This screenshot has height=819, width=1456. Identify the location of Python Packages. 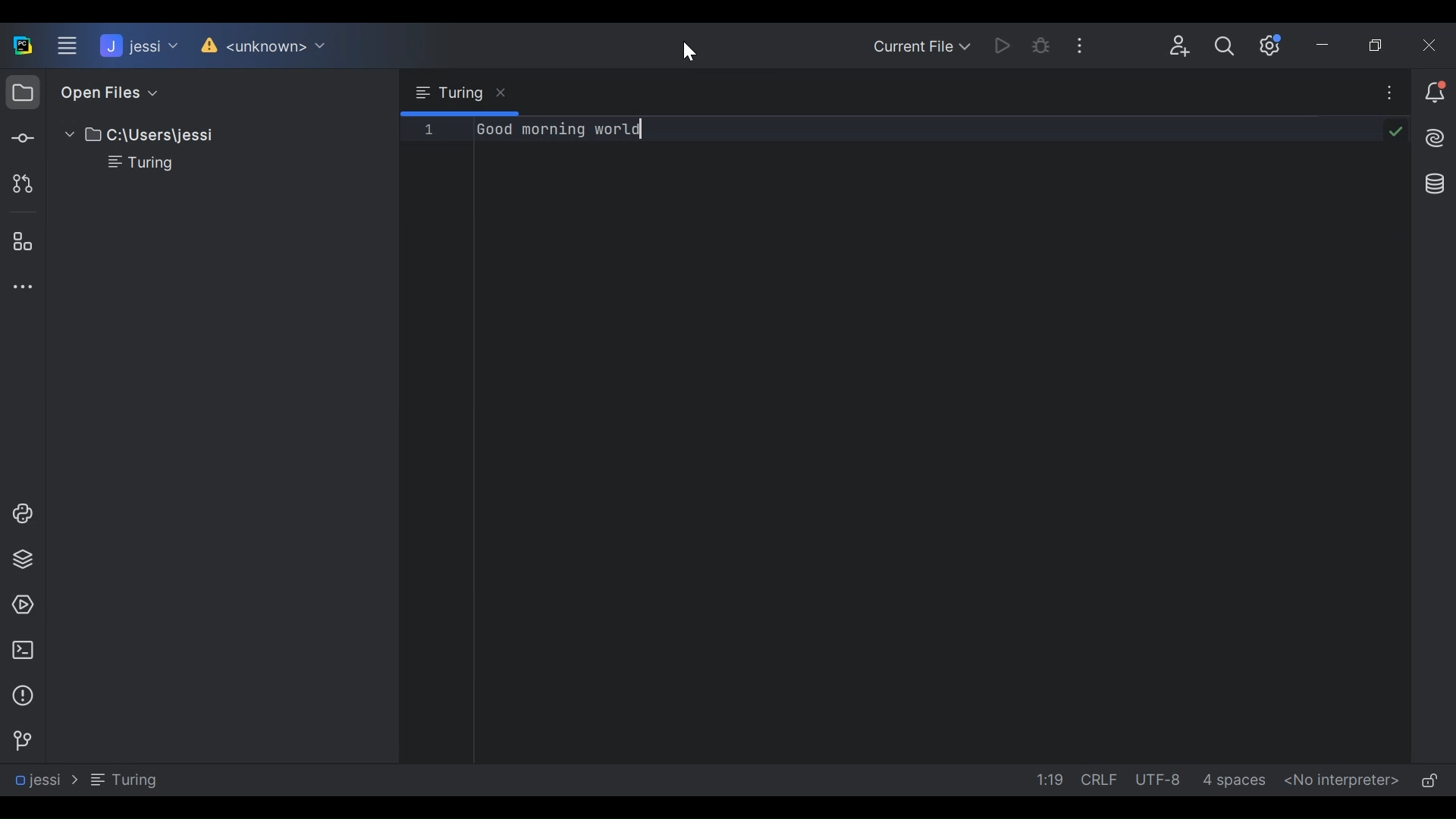
(21, 560).